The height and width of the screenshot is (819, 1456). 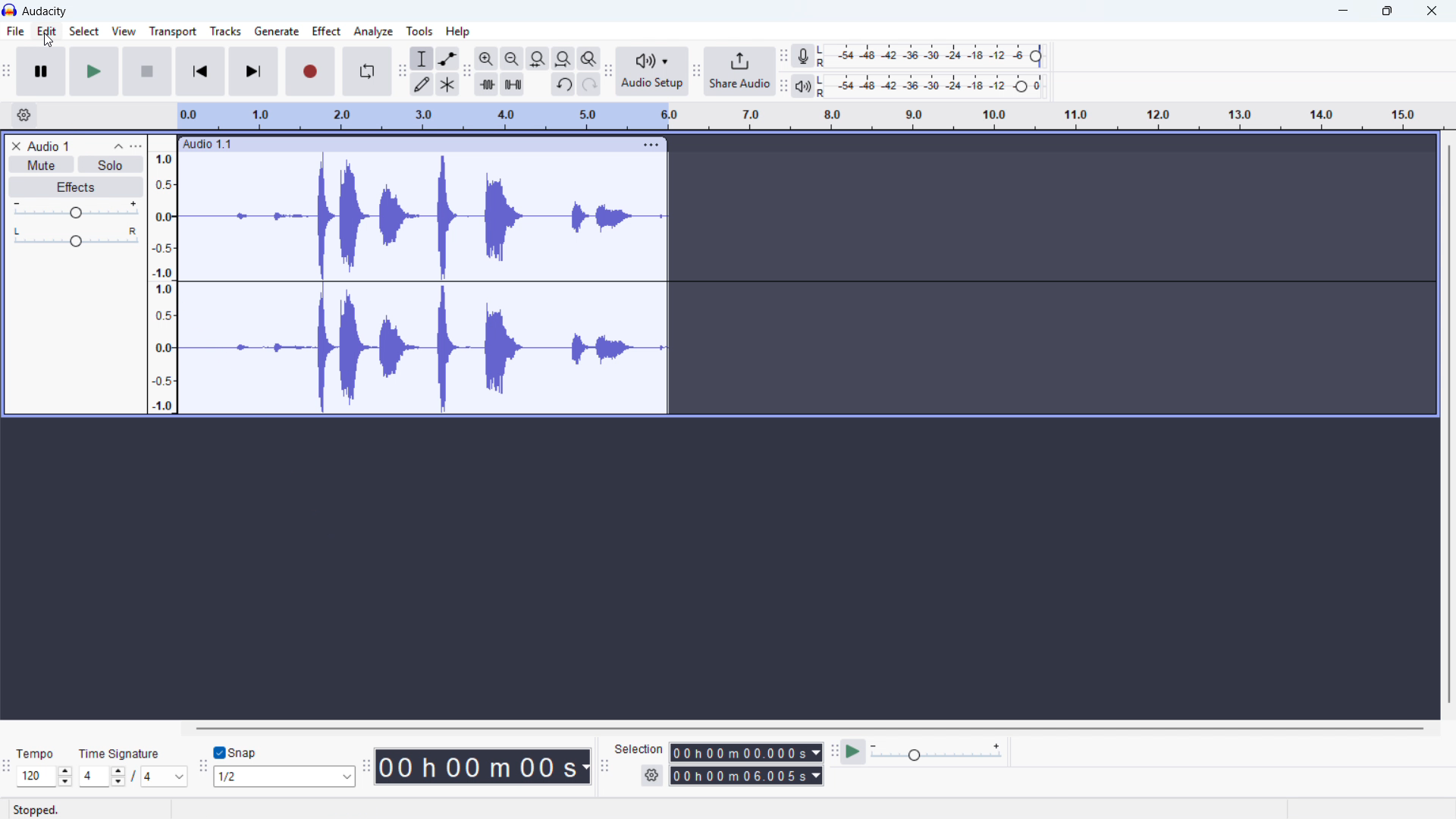 What do you see at coordinates (588, 84) in the screenshot?
I see `redo` at bounding box center [588, 84].